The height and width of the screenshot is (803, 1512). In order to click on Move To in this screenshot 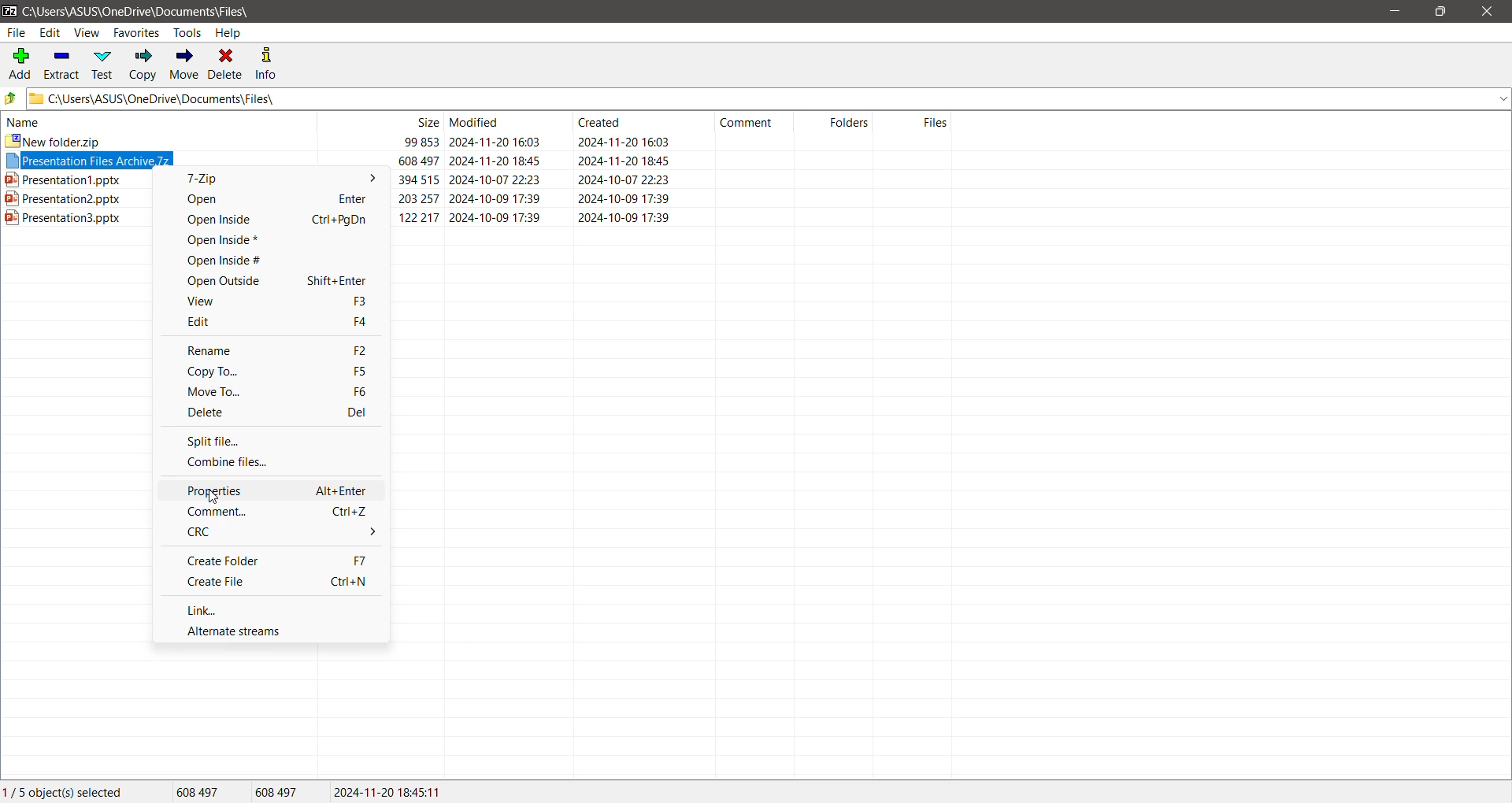, I will do `click(228, 391)`.